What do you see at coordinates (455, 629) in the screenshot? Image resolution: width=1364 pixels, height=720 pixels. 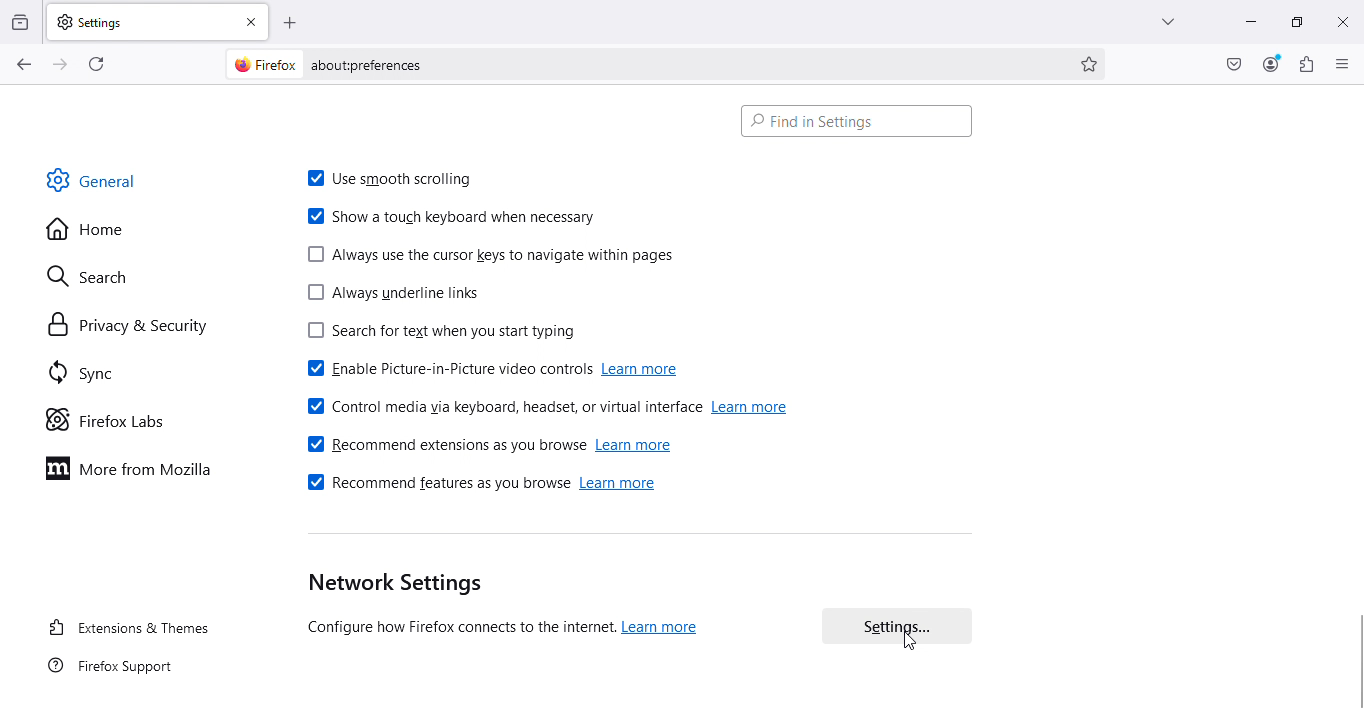 I see `(Configure how Firefox connects to the internet` at bounding box center [455, 629].